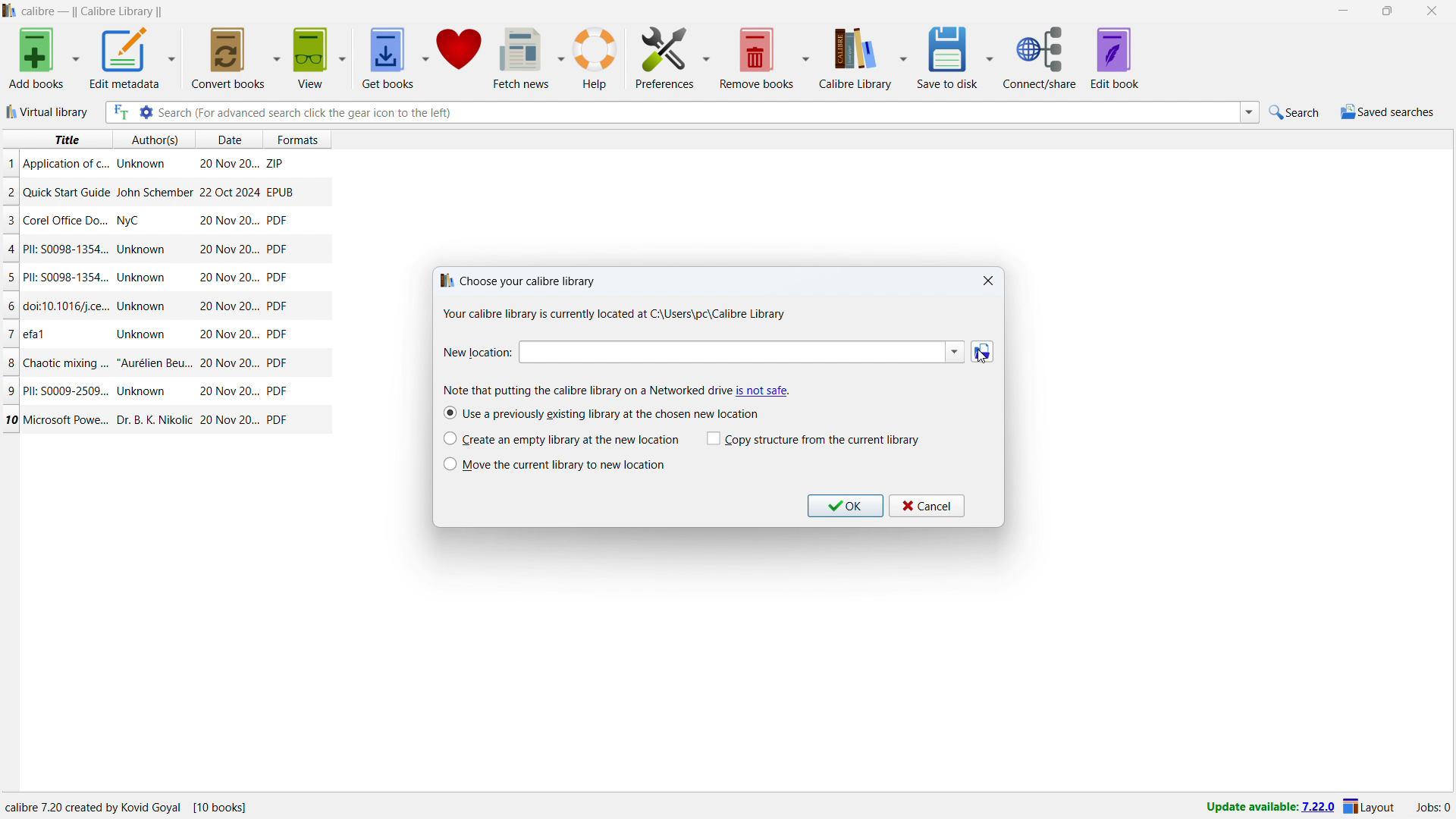 This screenshot has height=819, width=1456. What do you see at coordinates (927, 506) in the screenshot?
I see `cancel` at bounding box center [927, 506].